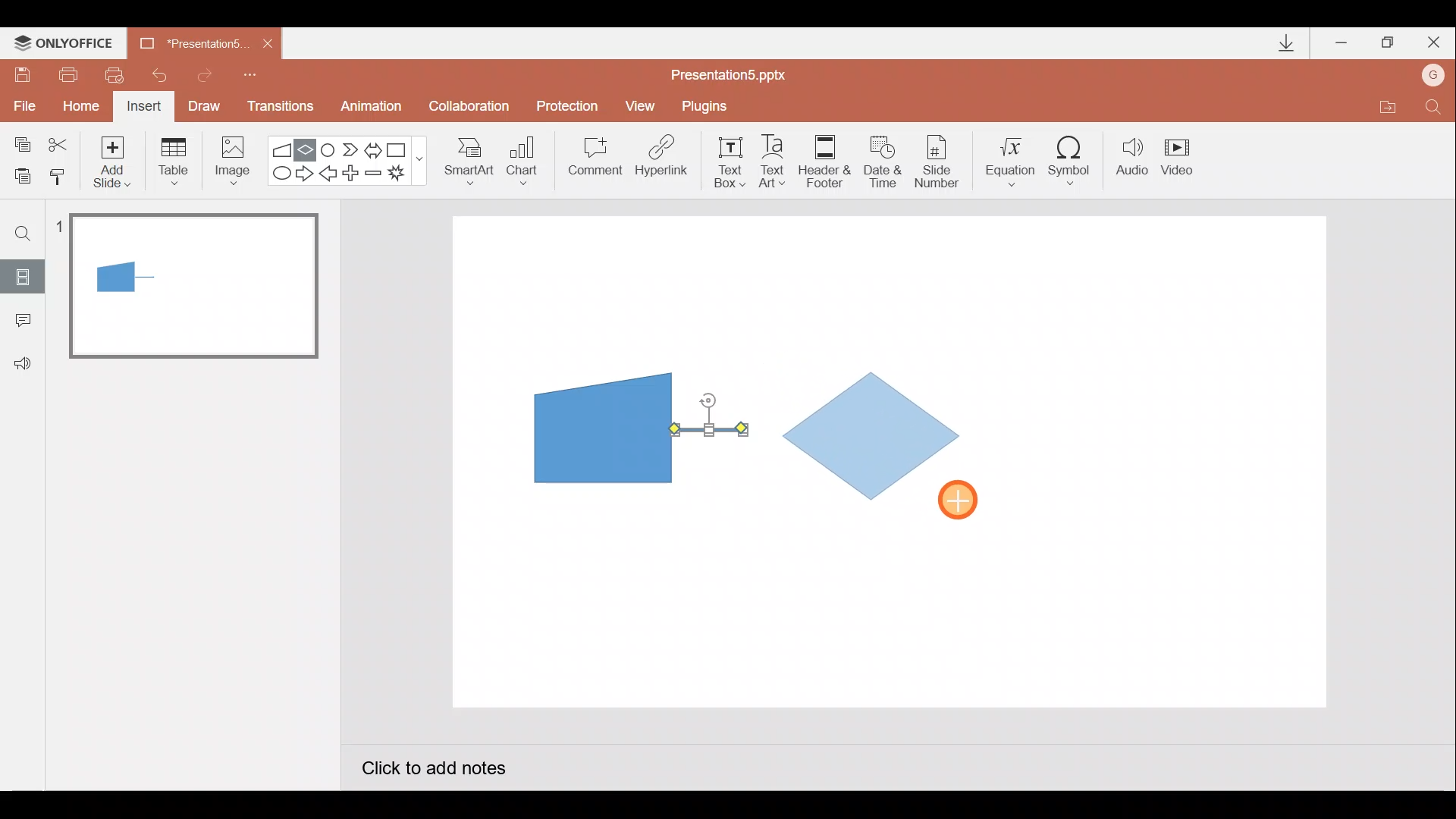 This screenshot has height=819, width=1456. Describe the element at coordinates (875, 438) in the screenshot. I see `Decision flow chart` at that location.